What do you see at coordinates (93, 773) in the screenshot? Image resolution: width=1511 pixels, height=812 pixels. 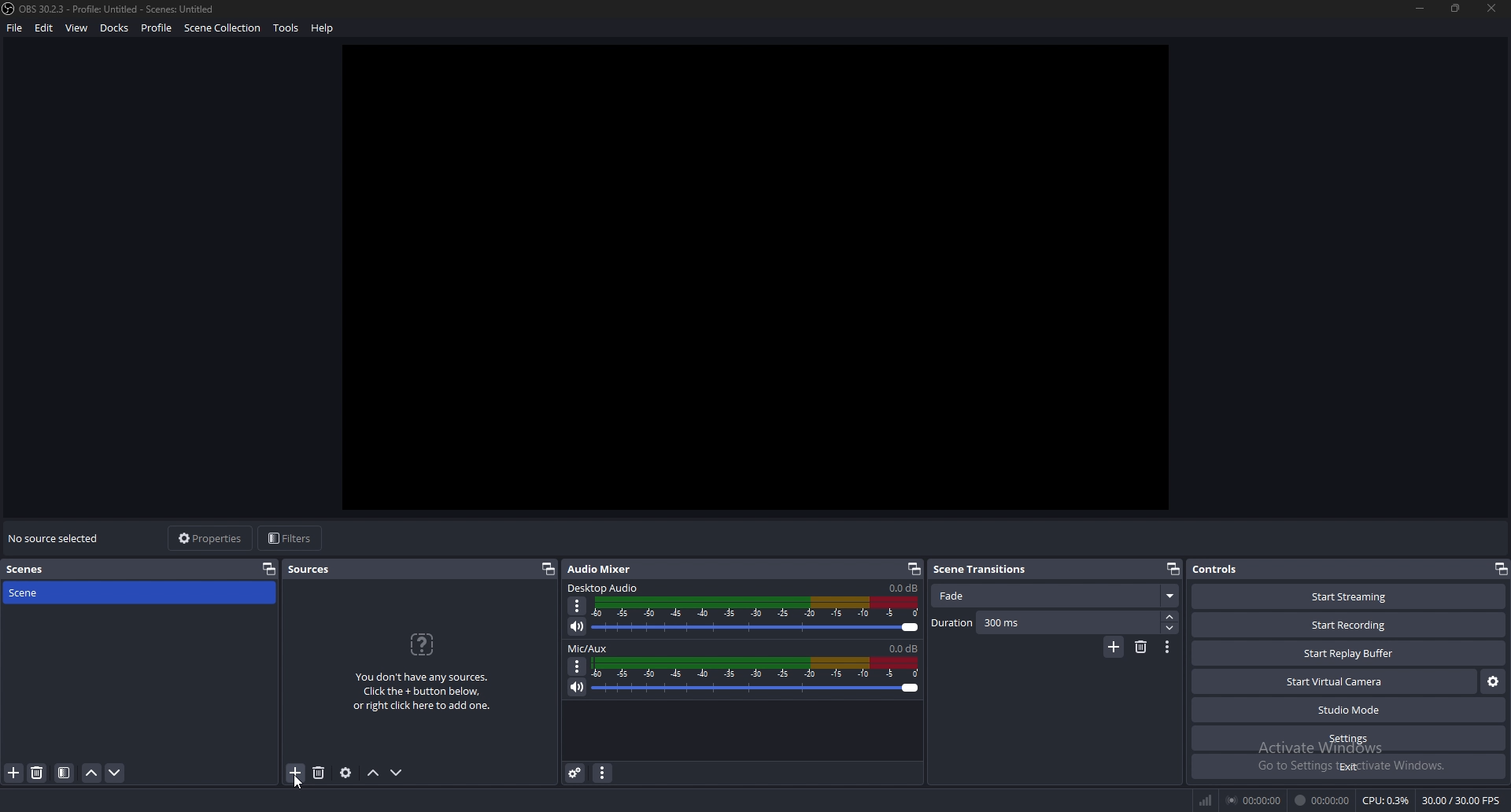 I see `move scene up` at bounding box center [93, 773].